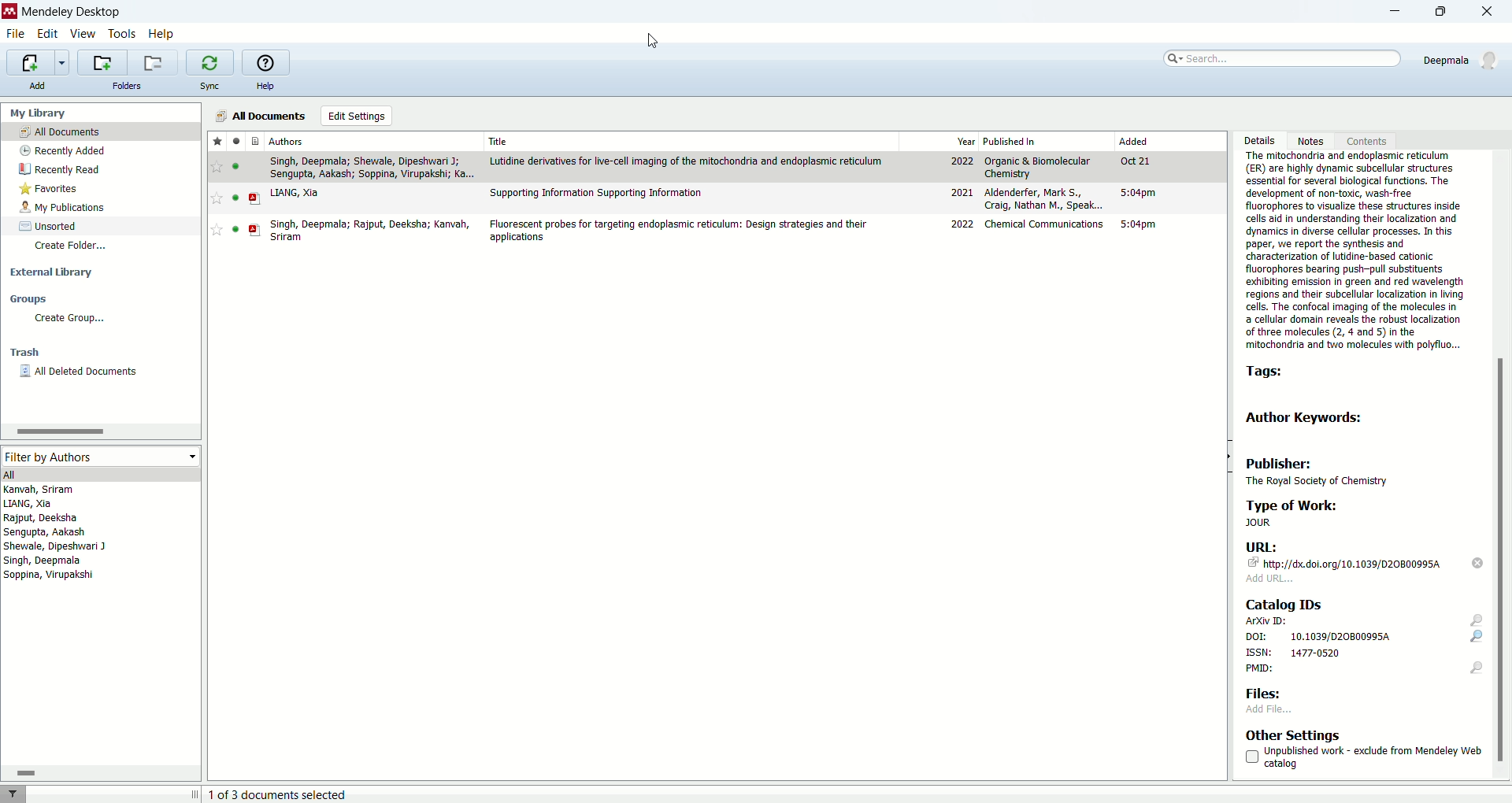 The image size is (1512, 803). Describe the element at coordinates (962, 192) in the screenshot. I see `2021` at that location.